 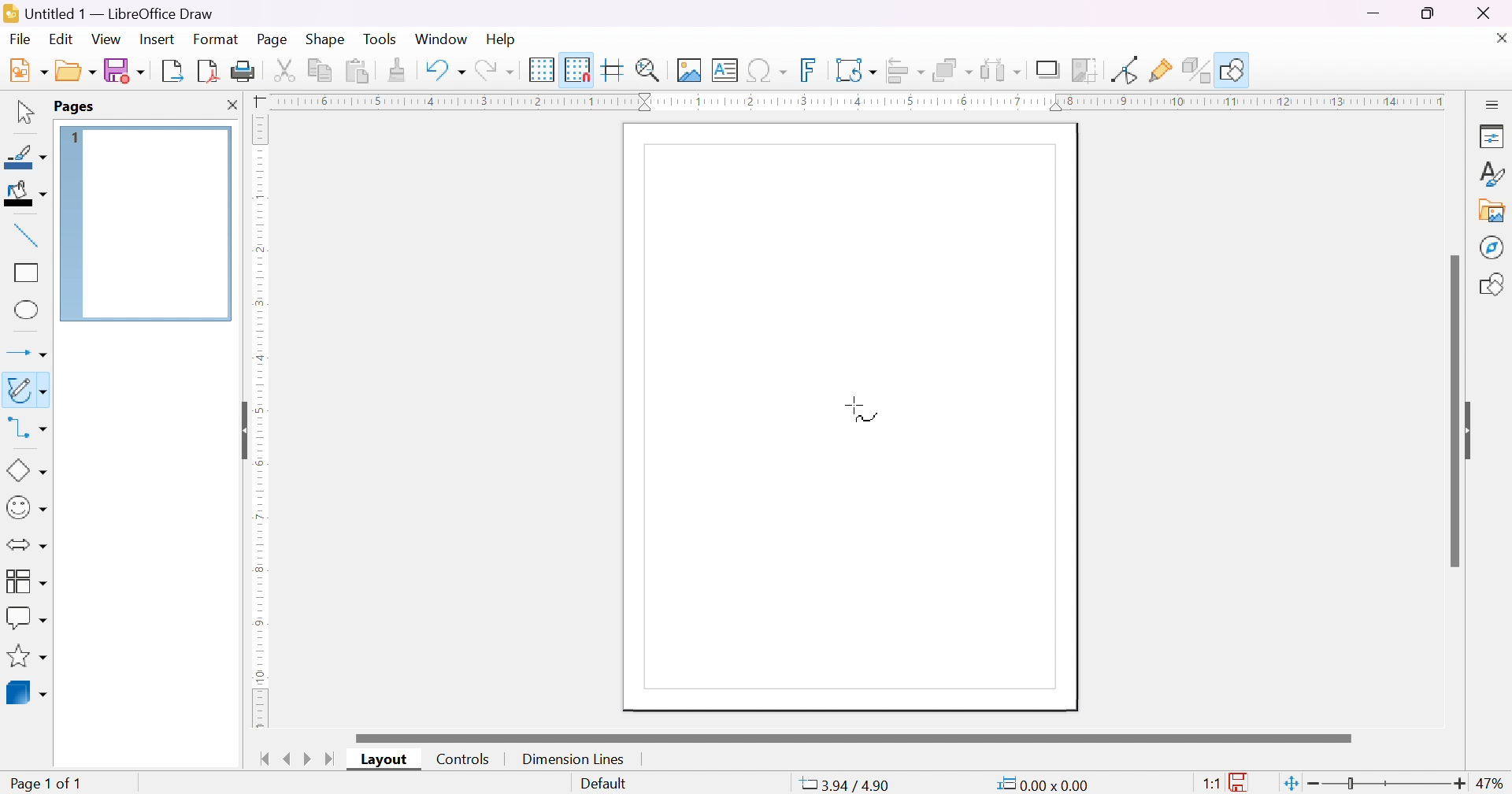 What do you see at coordinates (650, 70) in the screenshot?
I see `zoom & plan` at bounding box center [650, 70].